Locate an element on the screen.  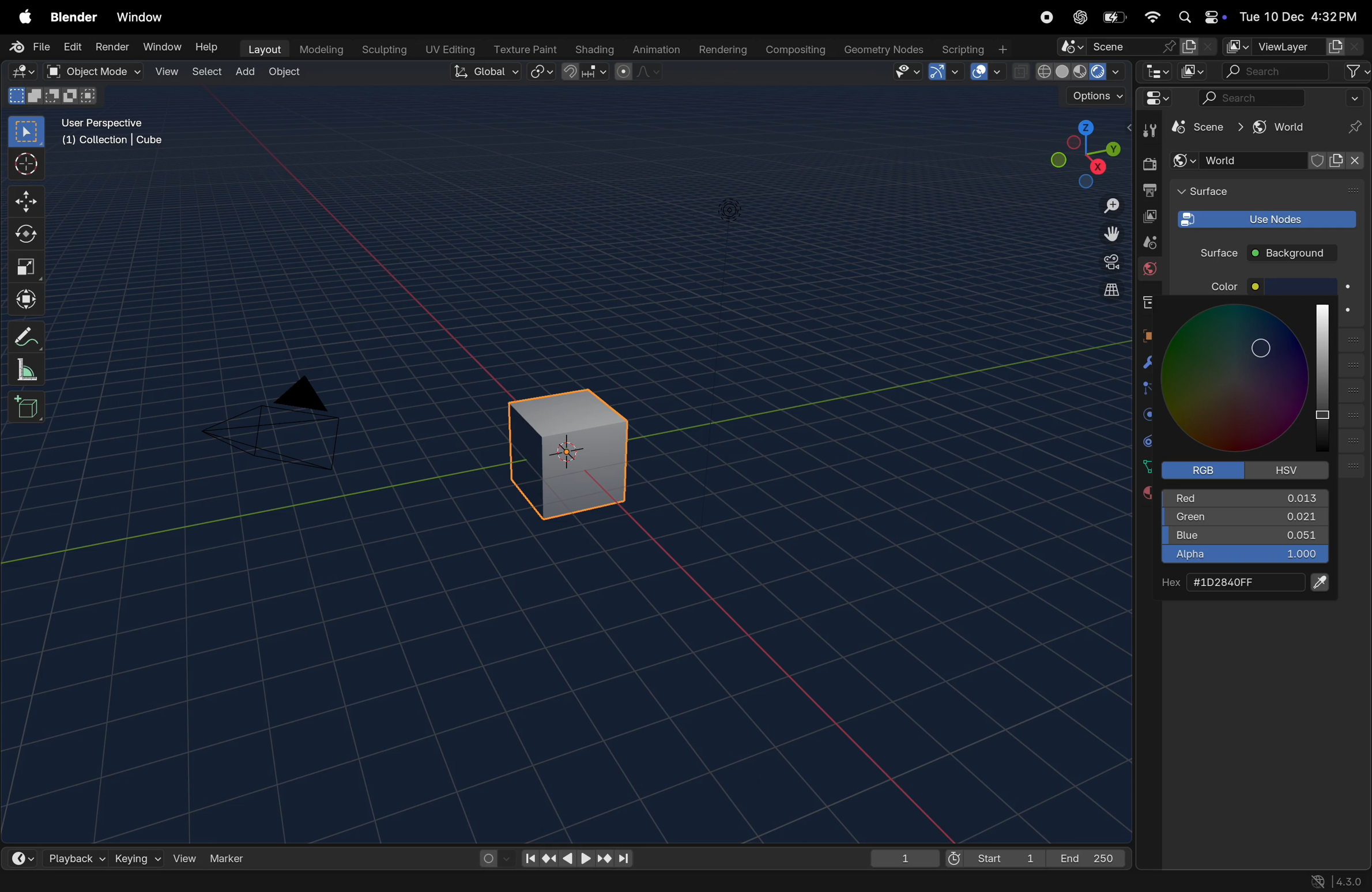
annotate is located at coordinates (29, 334).